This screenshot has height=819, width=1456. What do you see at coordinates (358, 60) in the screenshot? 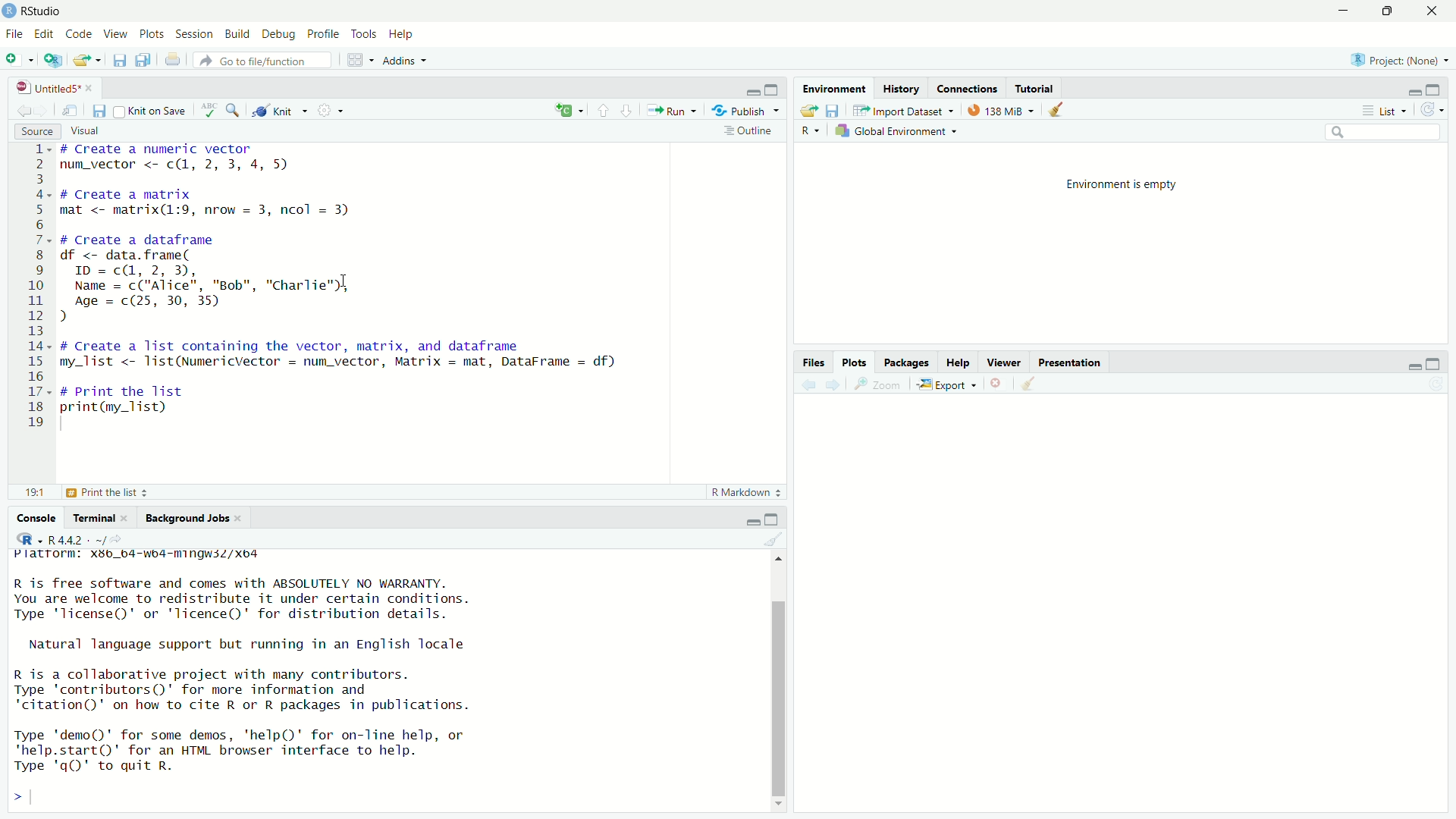
I see `grid` at bounding box center [358, 60].